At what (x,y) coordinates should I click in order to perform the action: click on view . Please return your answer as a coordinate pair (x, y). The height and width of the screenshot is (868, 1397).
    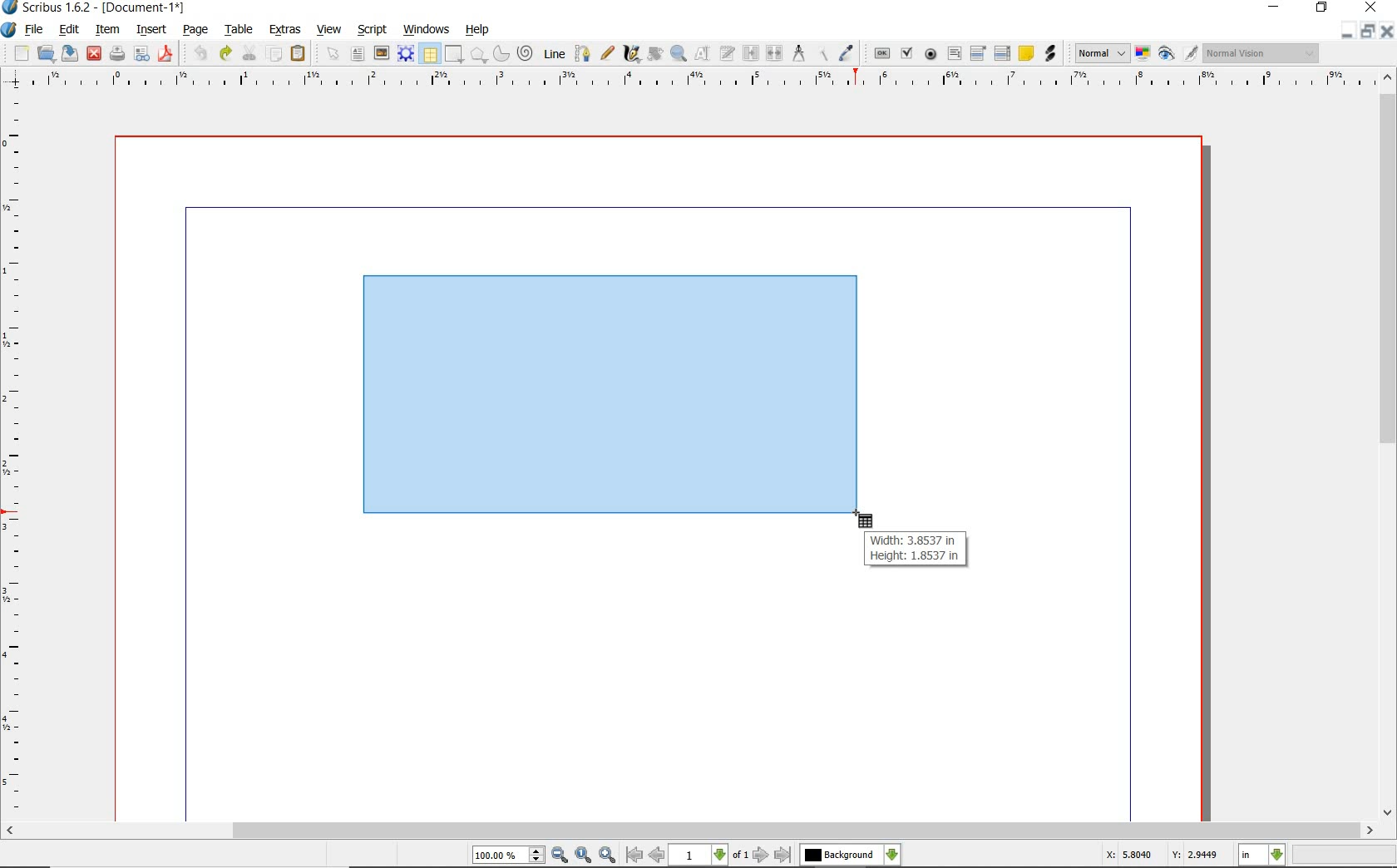
    Looking at the image, I should click on (332, 30).